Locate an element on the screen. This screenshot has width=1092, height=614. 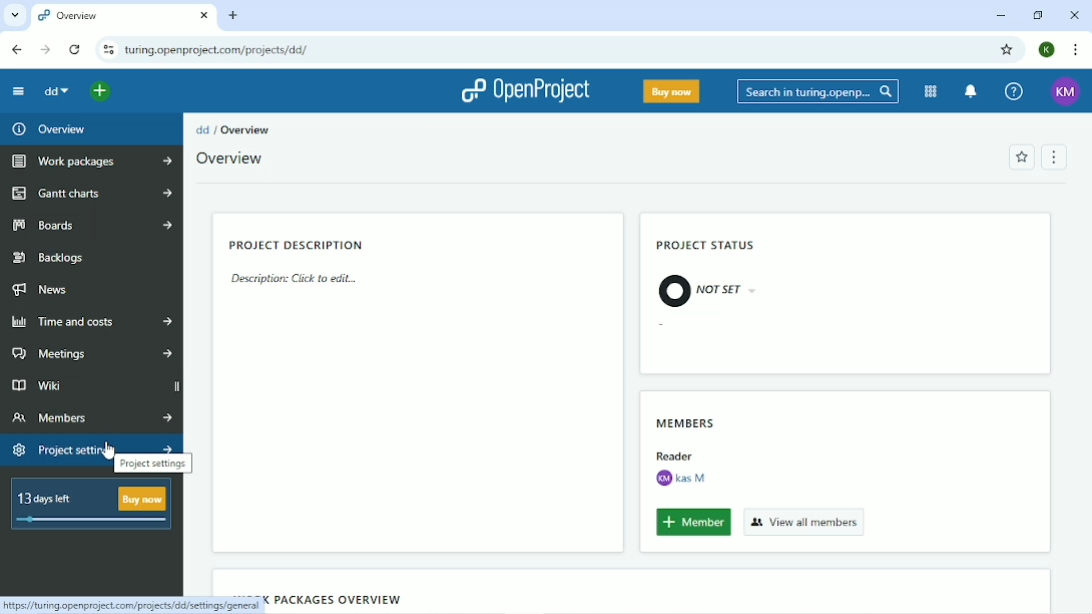
View site information is located at coordinates (107, 49).